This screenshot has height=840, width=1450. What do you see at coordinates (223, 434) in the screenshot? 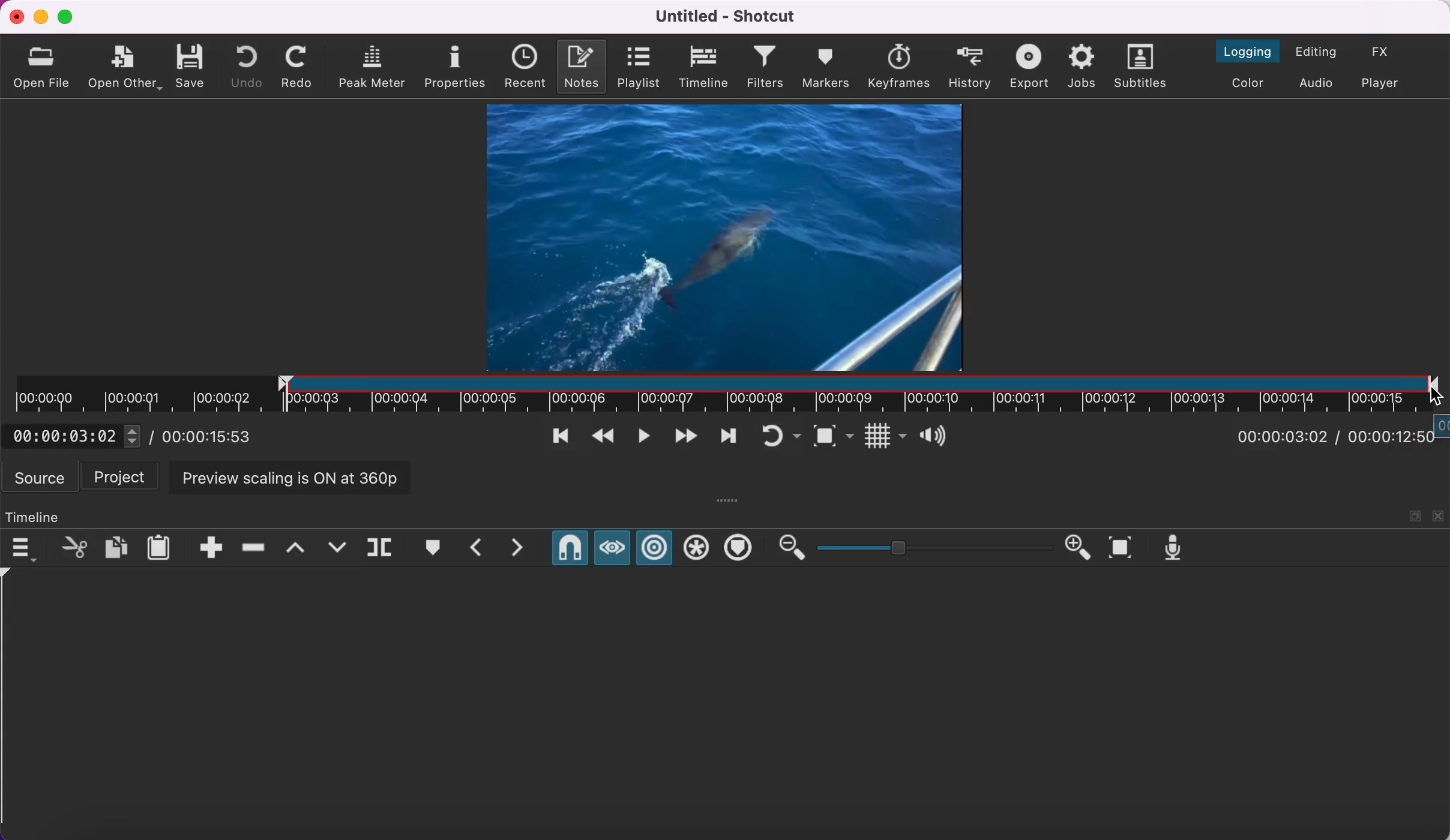
I see `total duration` at bounding box center [223, 434].